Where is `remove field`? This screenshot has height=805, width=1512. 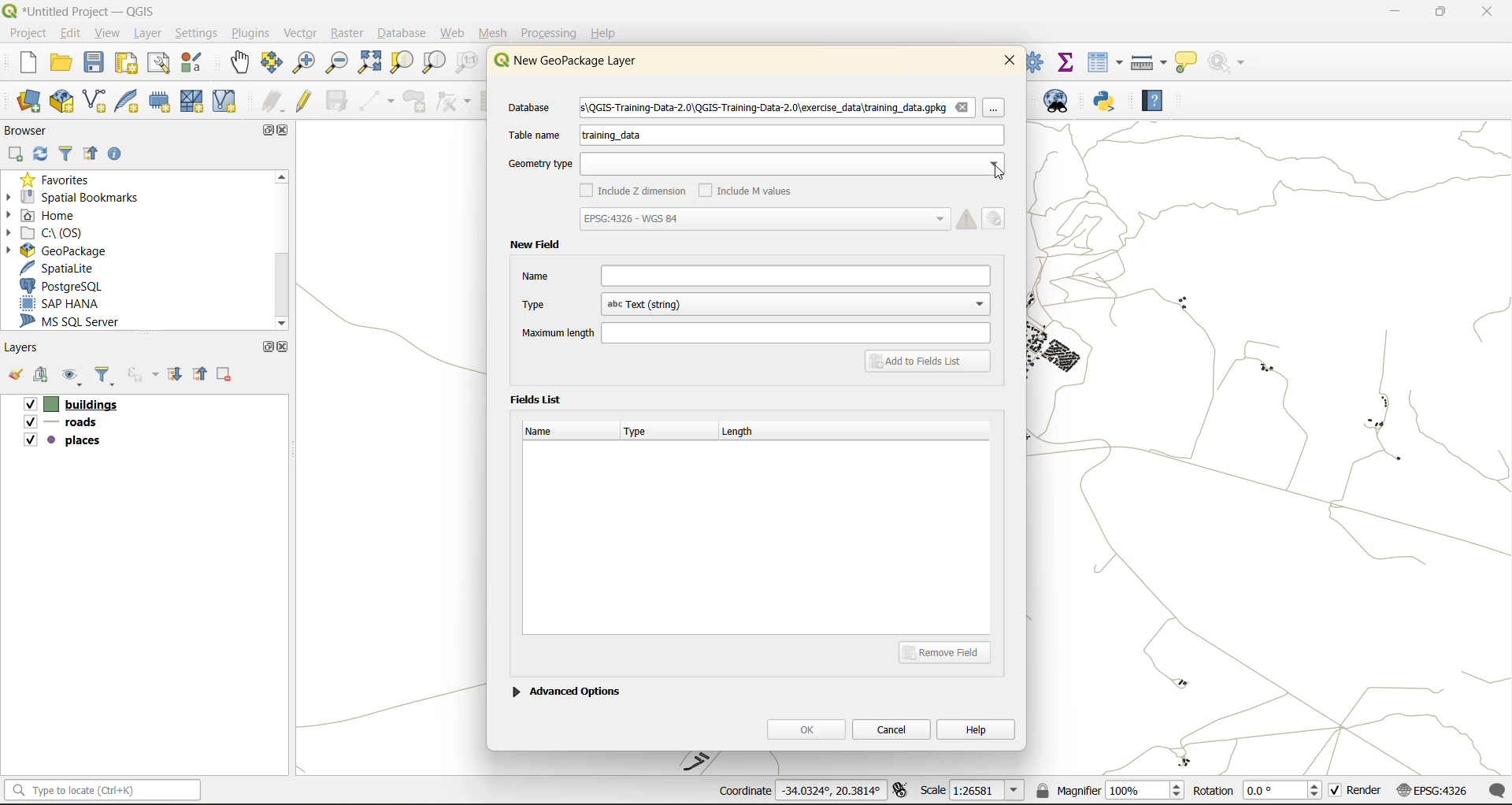
remove field is located at coordinates (950, 651).